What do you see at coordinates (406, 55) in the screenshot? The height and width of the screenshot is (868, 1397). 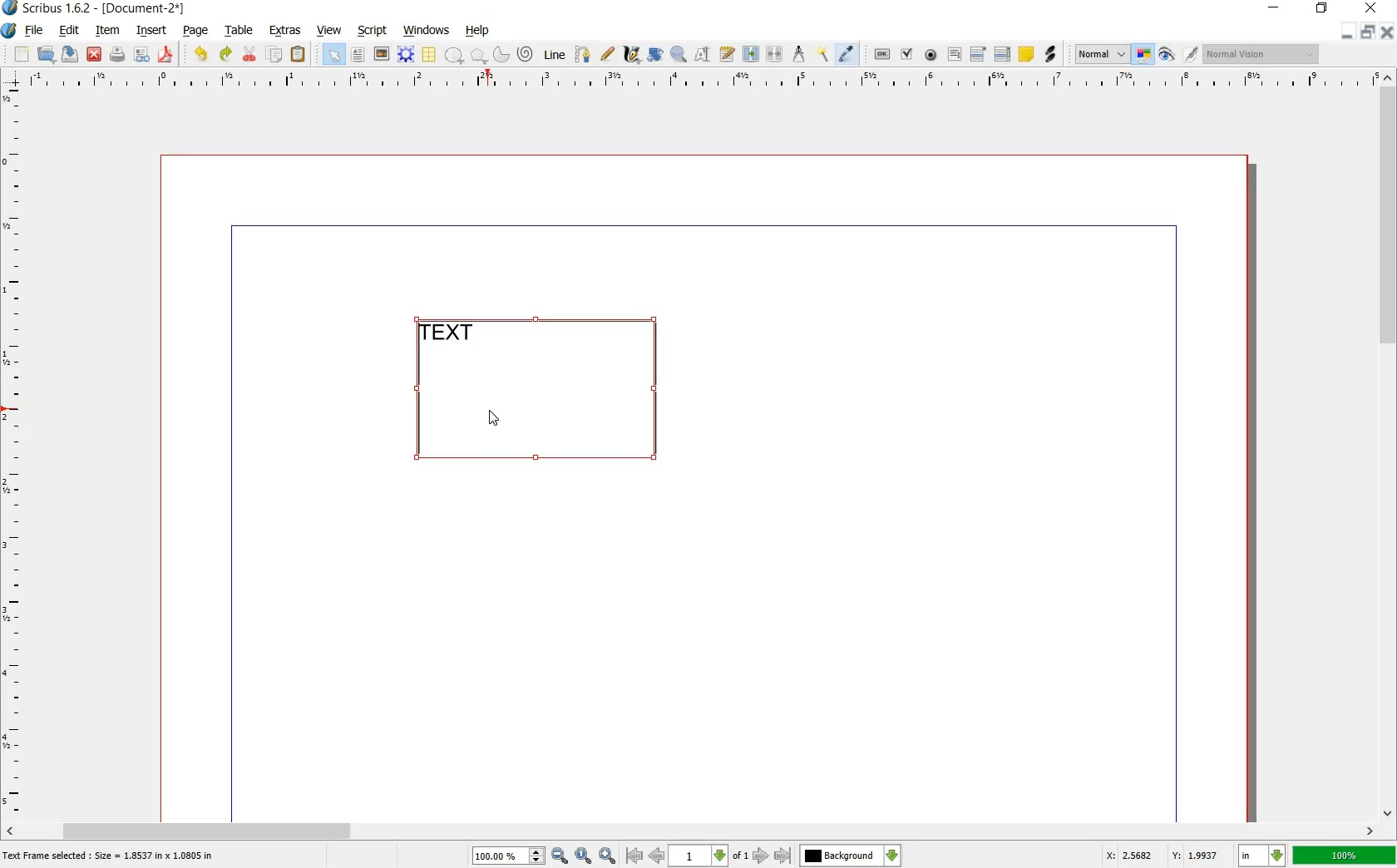 I see `render frame` at bounding box center [406, 55].